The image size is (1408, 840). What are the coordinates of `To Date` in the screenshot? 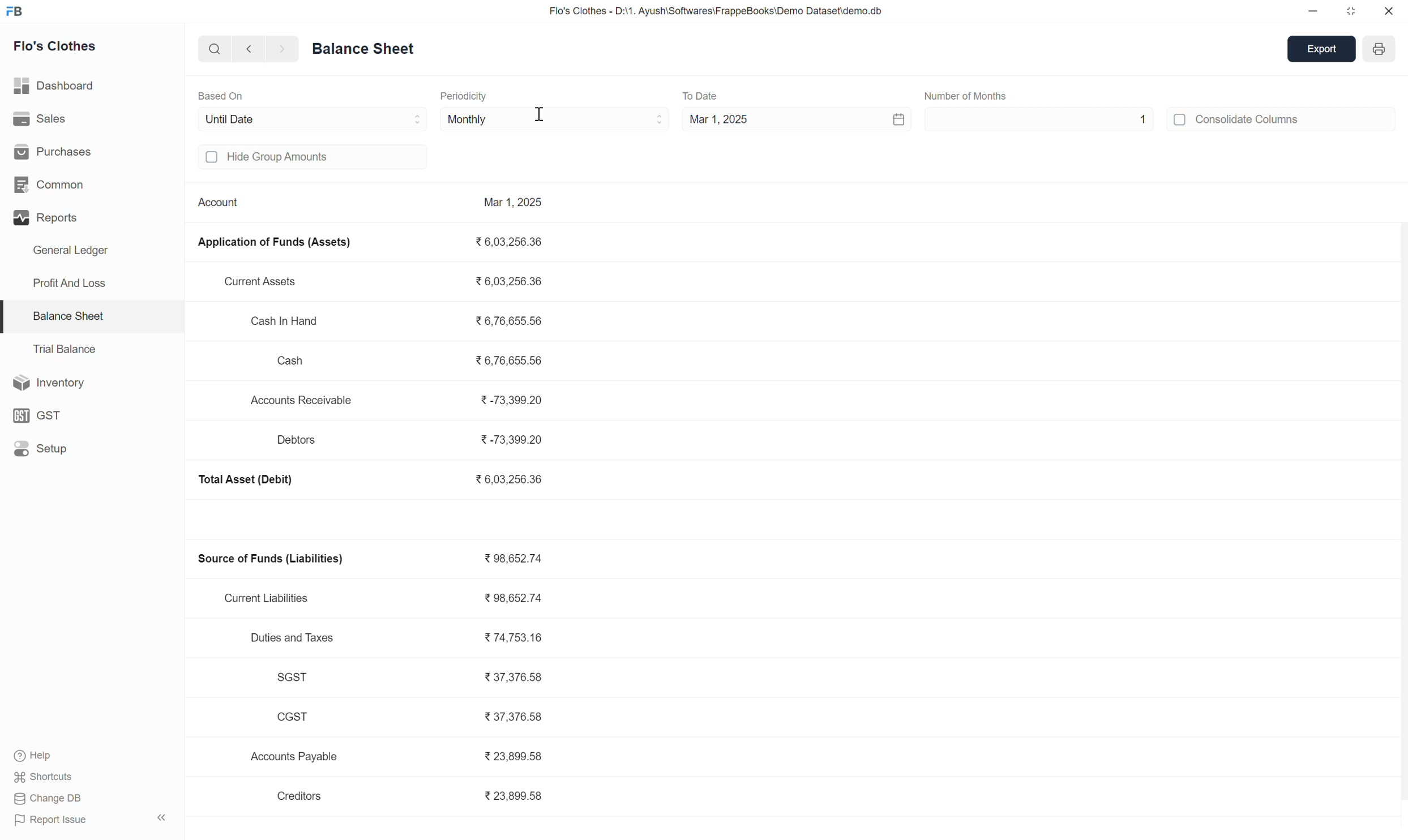 It's located at (704, 92).